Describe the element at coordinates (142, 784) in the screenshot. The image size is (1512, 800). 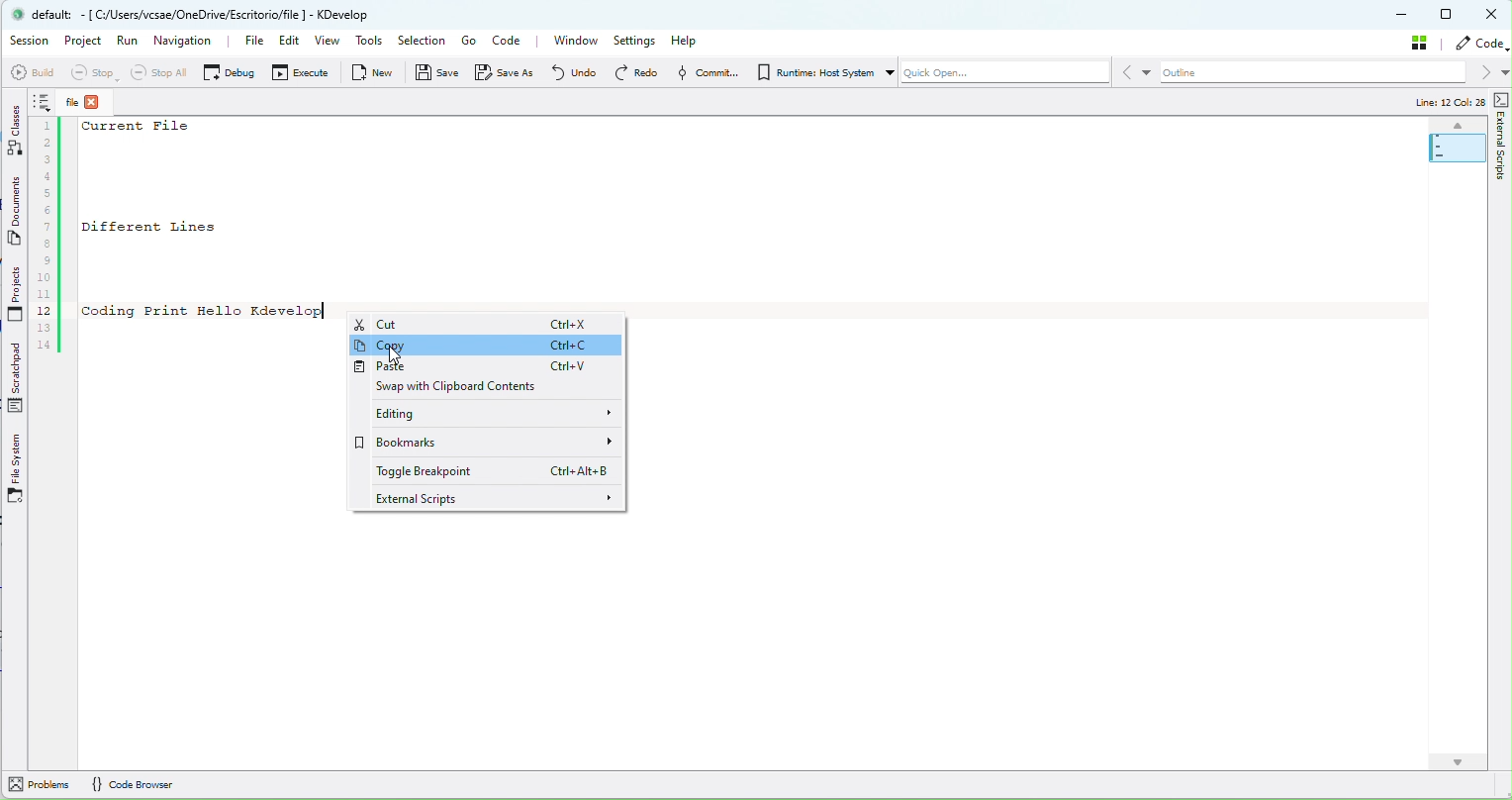
I see `Code Browser (Information)` at that location.